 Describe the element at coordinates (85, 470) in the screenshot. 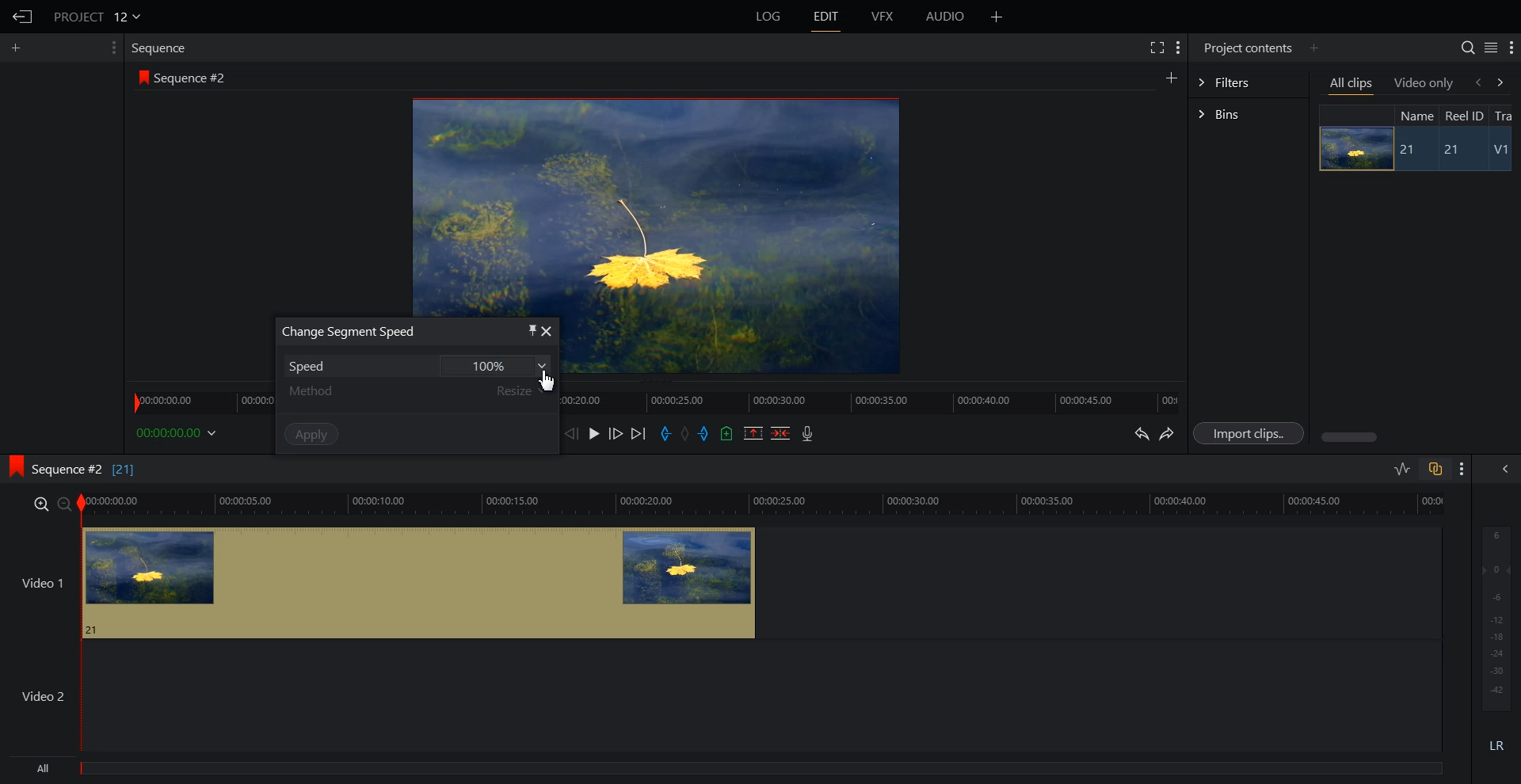

I see `Sequence #2 [21]` at that location.